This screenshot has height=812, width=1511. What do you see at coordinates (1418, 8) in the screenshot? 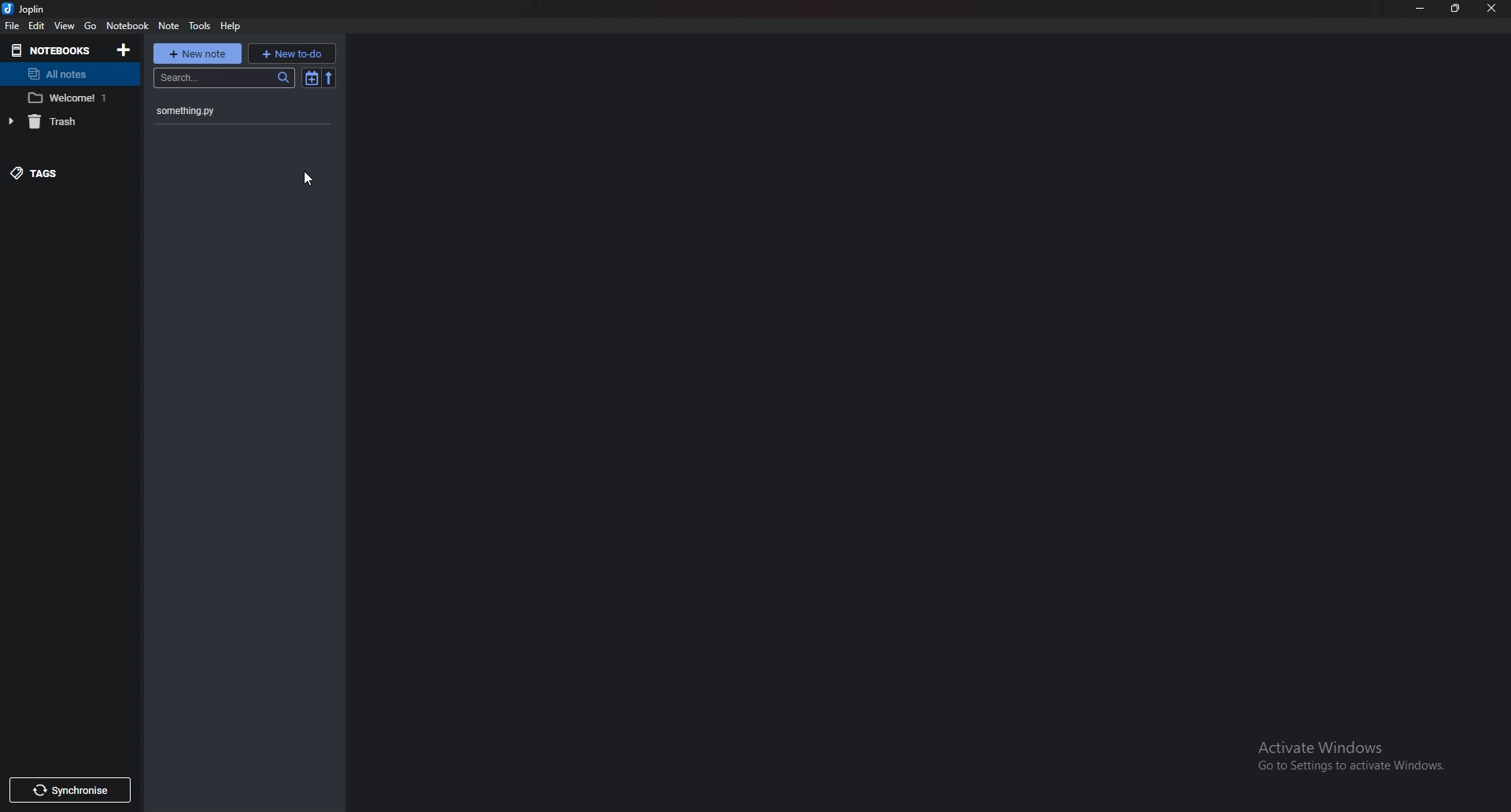
I see `Minimize` at bounding box center [1418, 8].